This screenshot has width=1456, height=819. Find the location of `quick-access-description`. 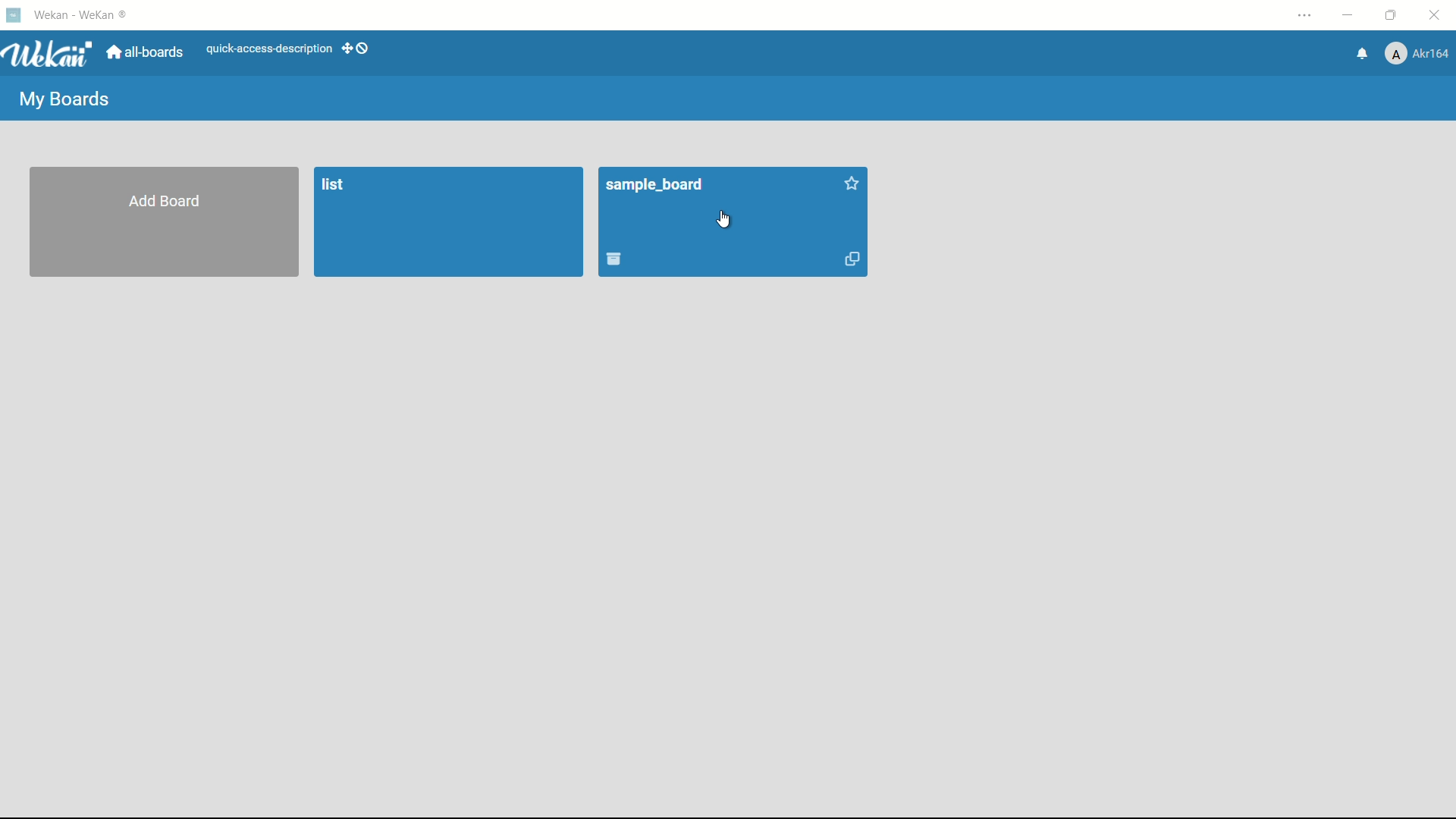

quick-access-description is located at coordinates (269, 50).